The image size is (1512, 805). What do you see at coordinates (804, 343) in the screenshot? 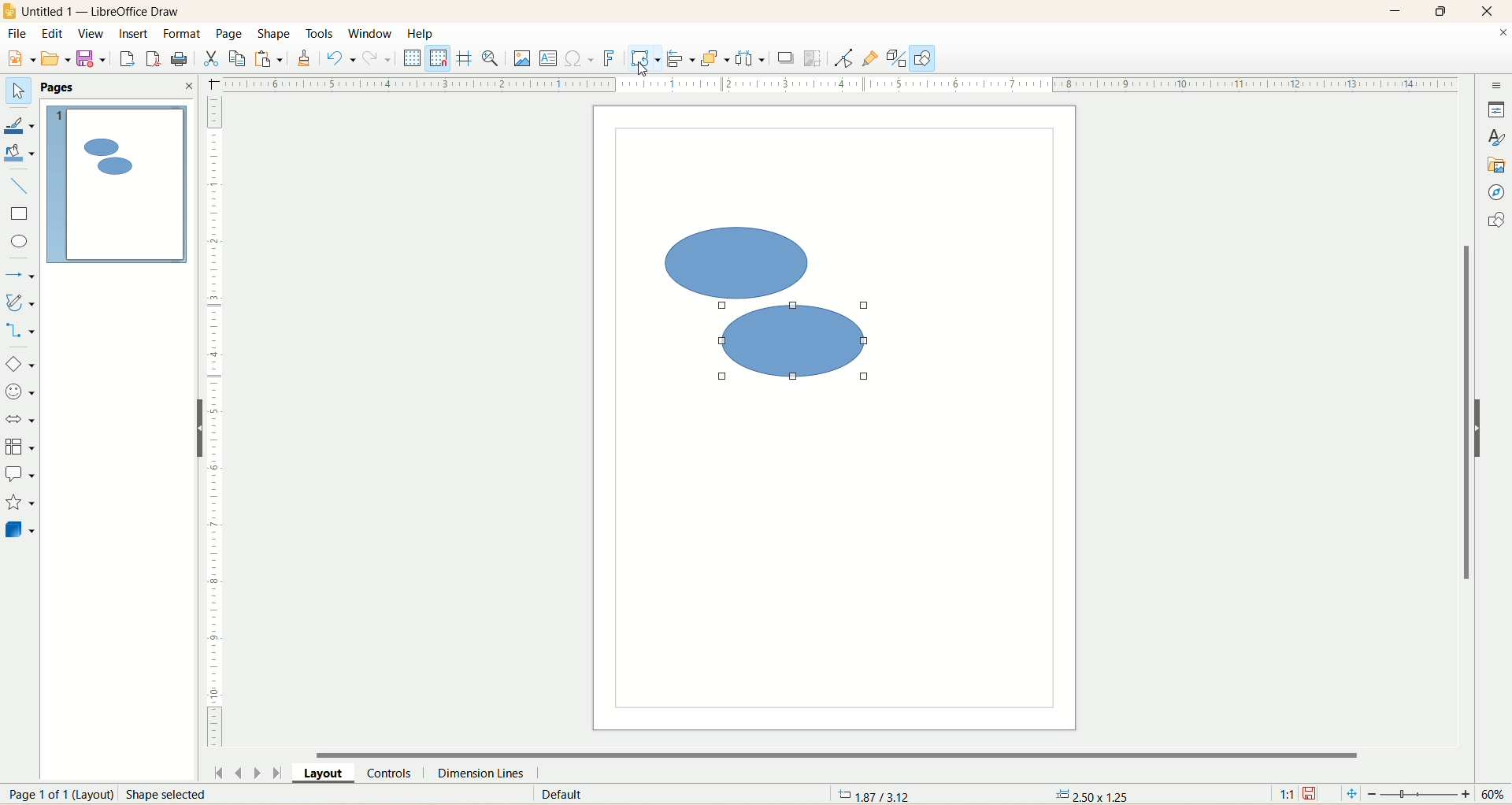
I see `shape` at bounding box center [804, 343].